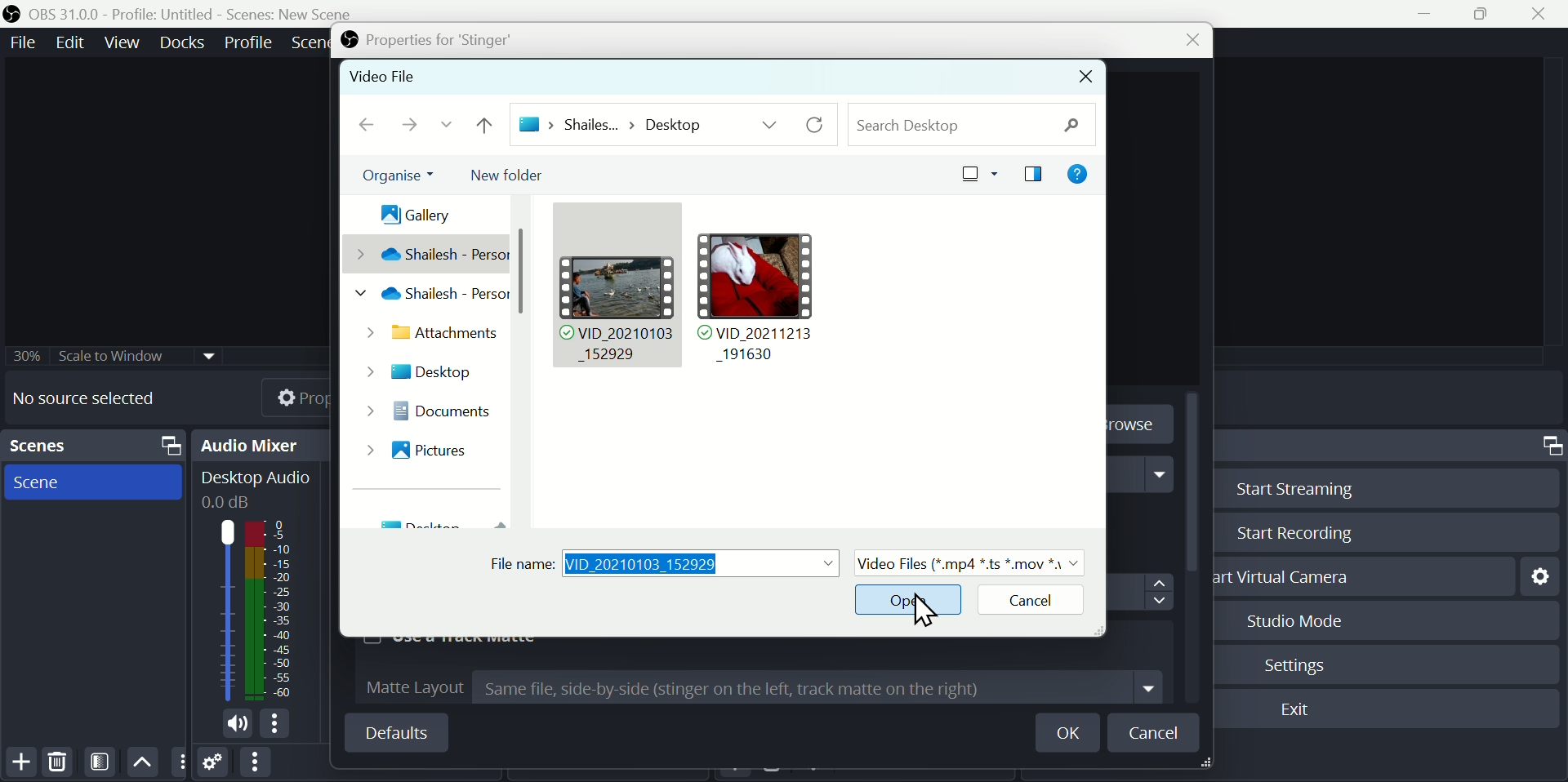 The image size is (1568, 782). Describe the element at coordinates (254, 763) in the screenshot. I see `More options` at that location.